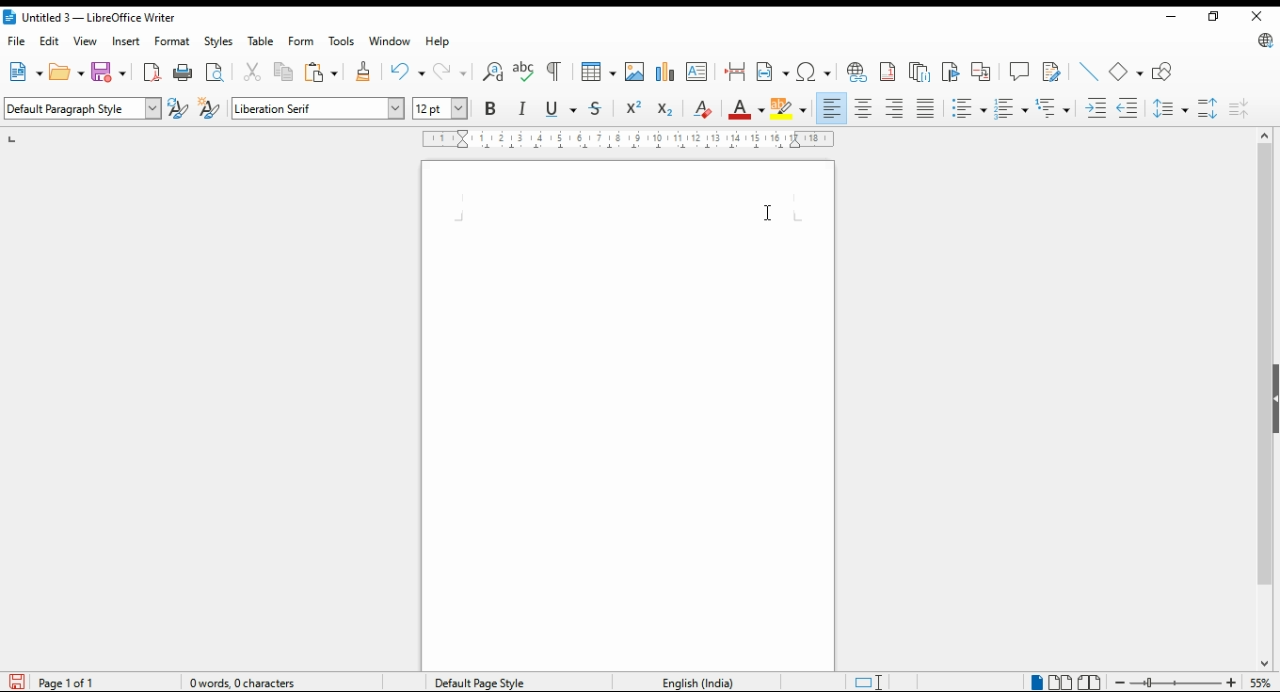 The image size is (1280, 692). What do you see at coordinates (1261, 682) in the screenshot?
I see `zoom factor` at bounding box center [1261, 682].